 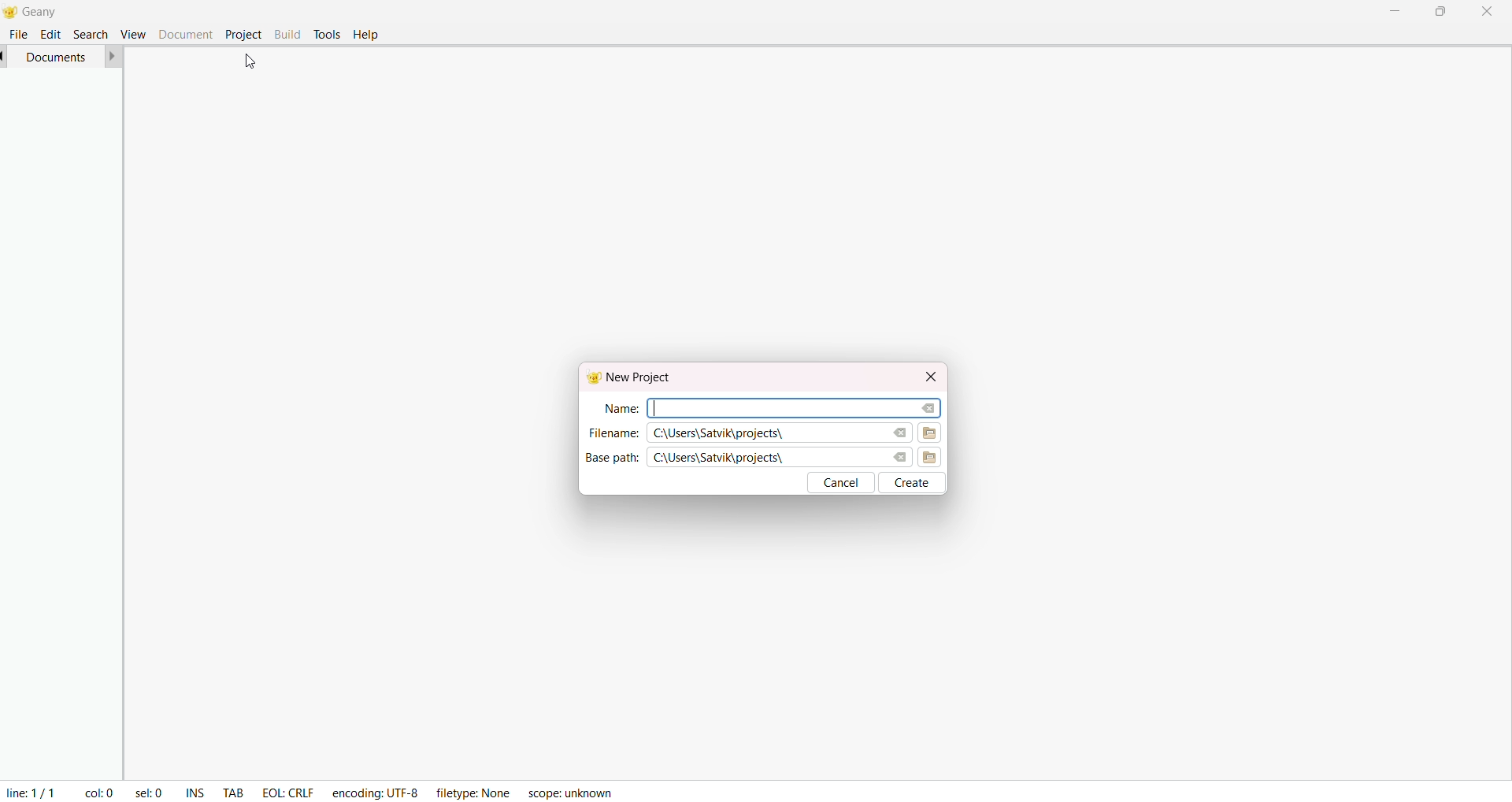 What do you see at coordinates (326, 34) in the screenshot?
I see `tools` at bounding box center [326, 34].